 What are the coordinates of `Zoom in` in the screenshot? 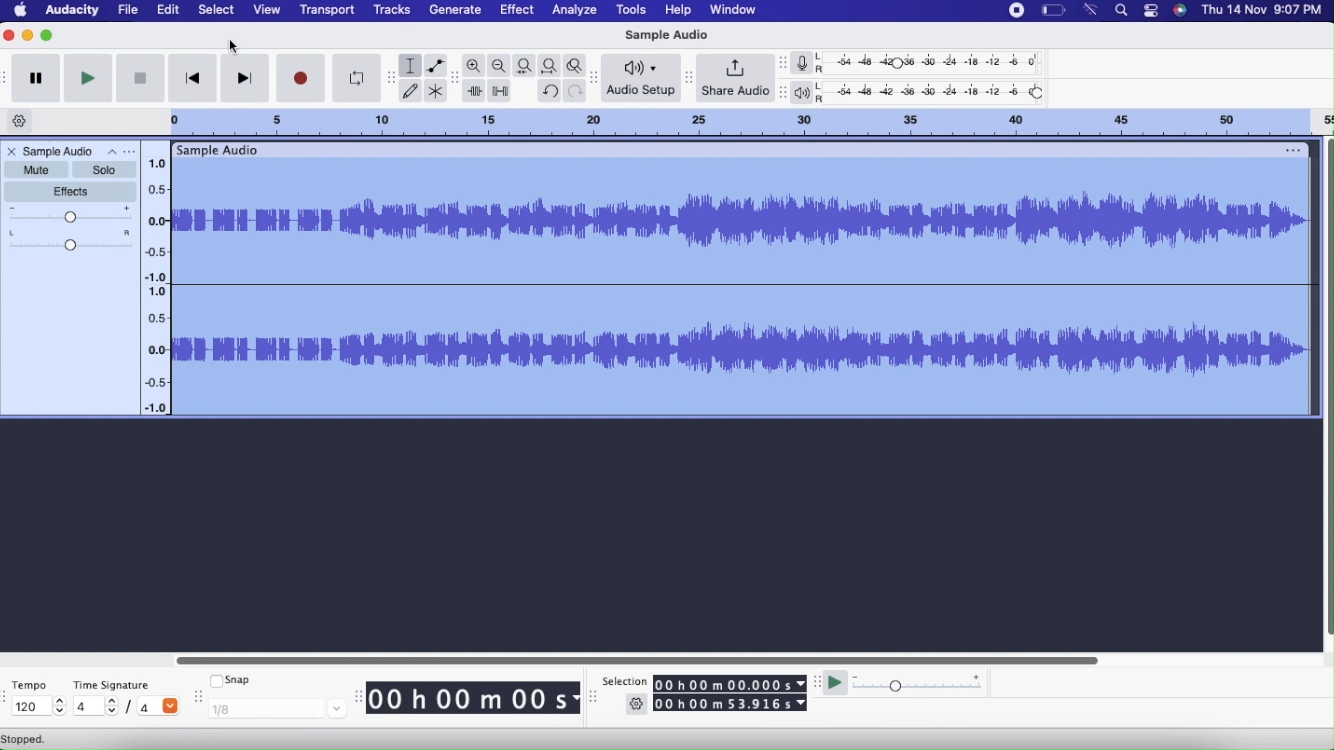 It's located at (474, 65).